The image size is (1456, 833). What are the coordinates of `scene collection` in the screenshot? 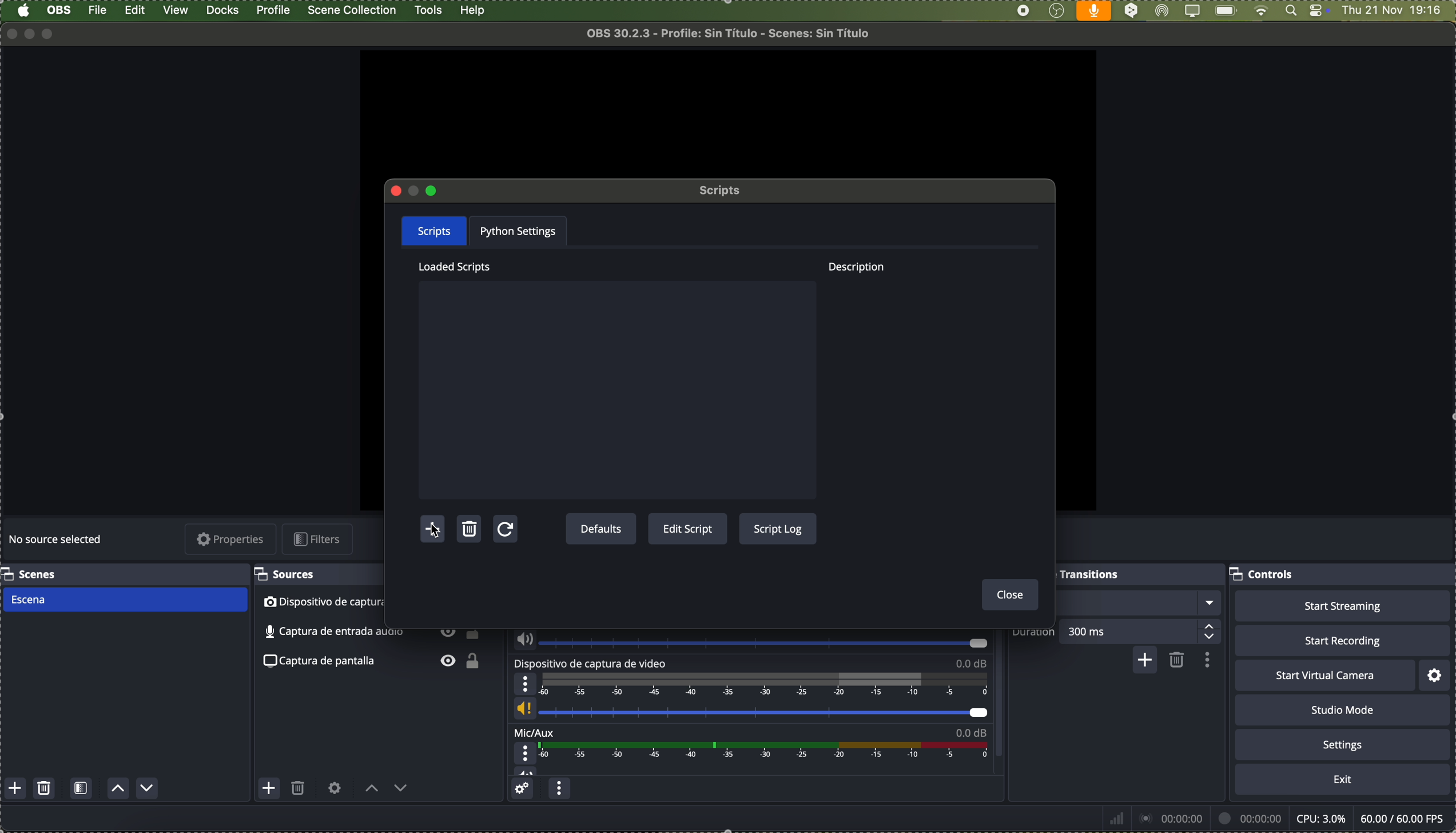 It's located at (353, 10).